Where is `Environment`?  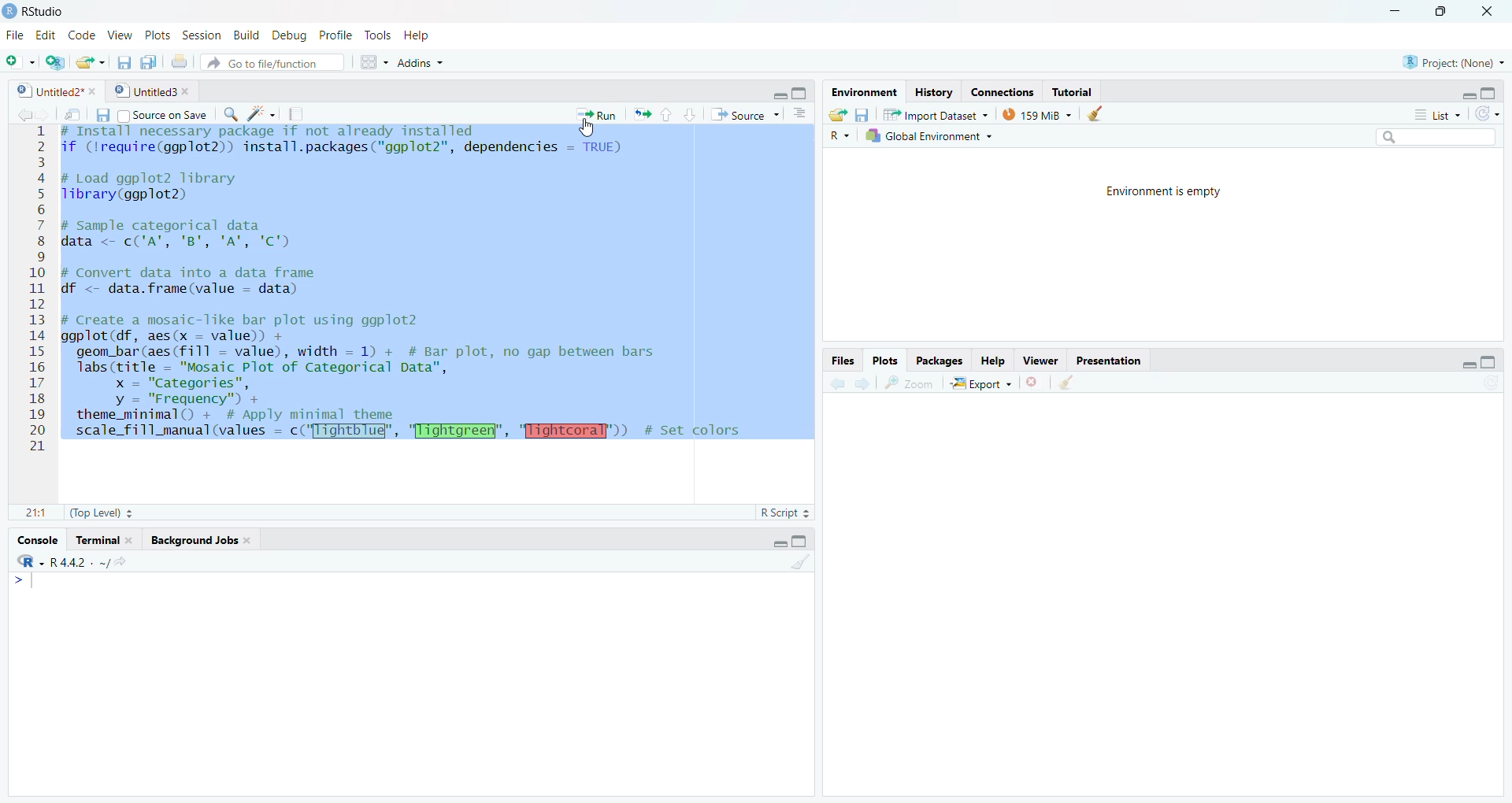 Environment is located at coordinates (866, 93).